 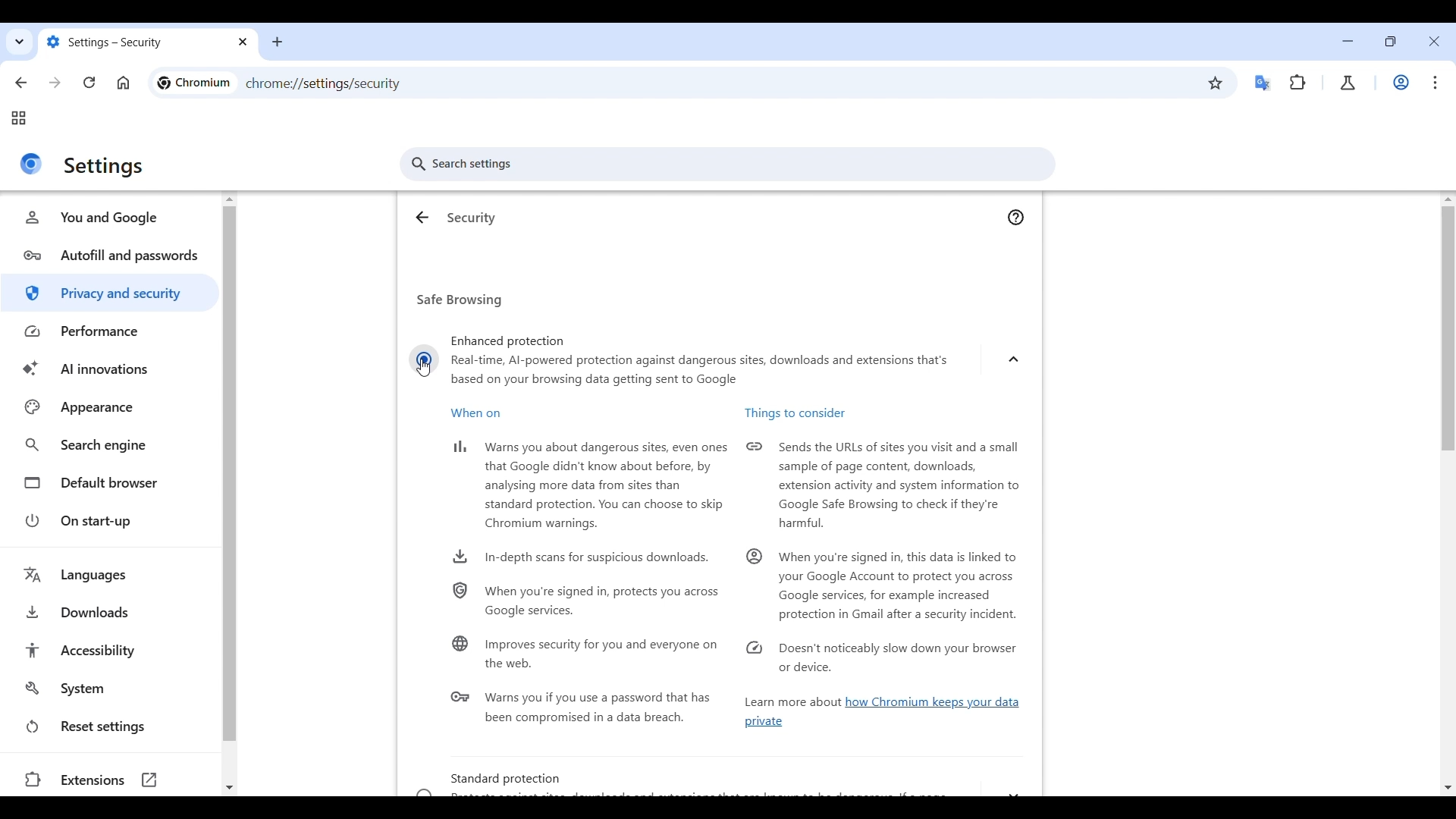 I want to click on On start-up, so click(x=112, y=521).